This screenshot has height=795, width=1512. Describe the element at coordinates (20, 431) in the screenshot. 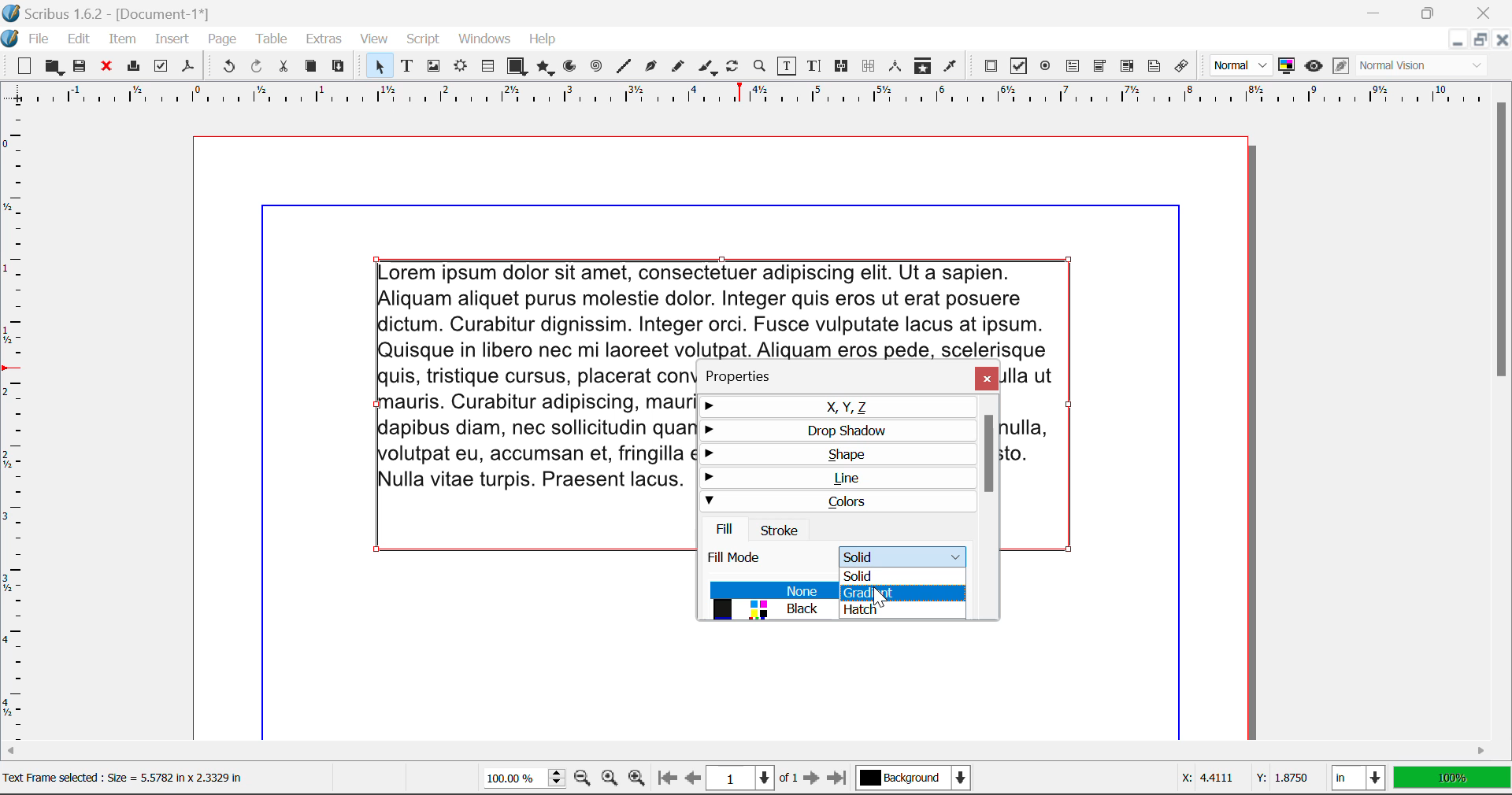

I see `Horizontal Page Margins` at that location.